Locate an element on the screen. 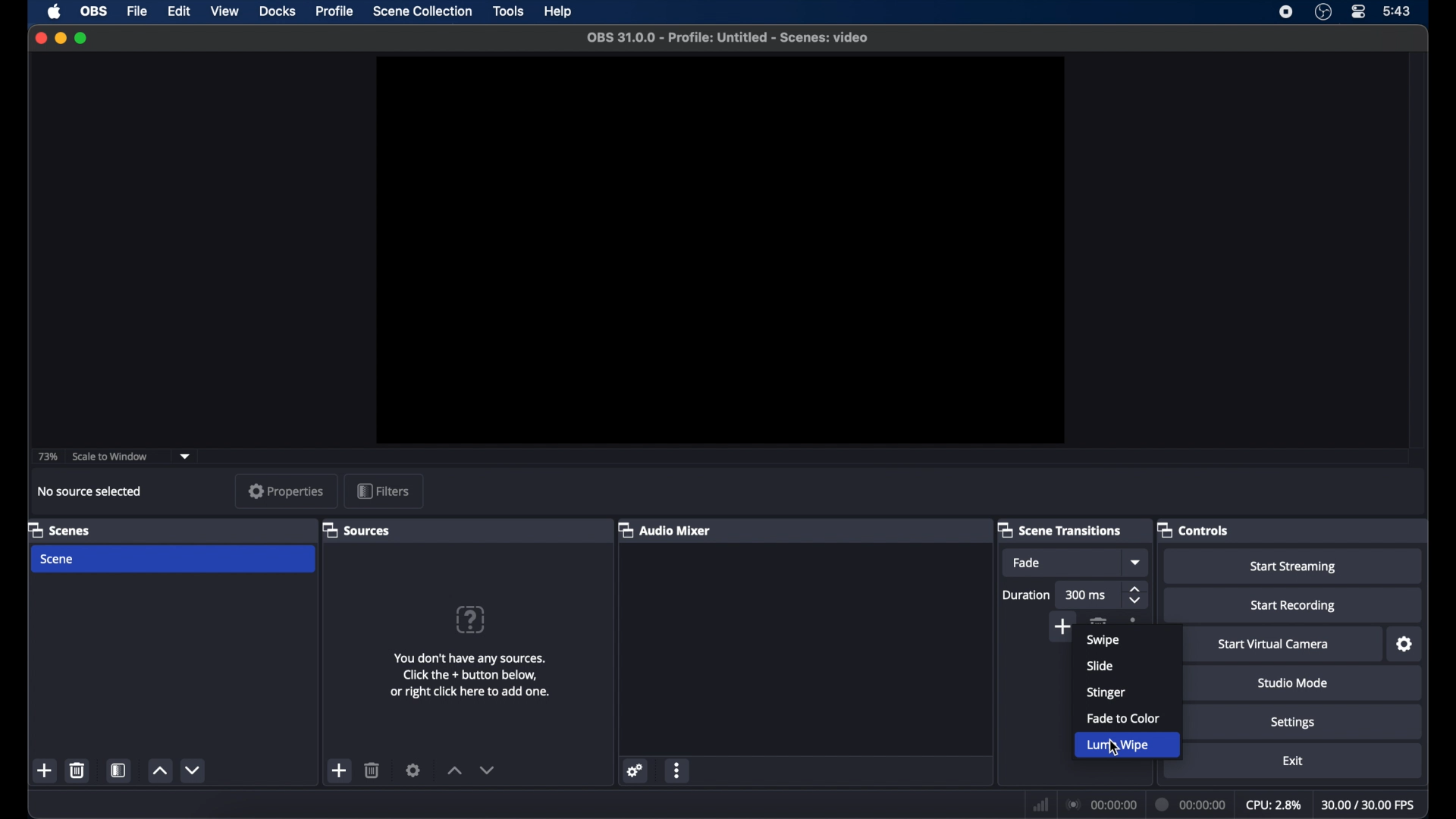  fade to color is located at coordinates (1123, 718).